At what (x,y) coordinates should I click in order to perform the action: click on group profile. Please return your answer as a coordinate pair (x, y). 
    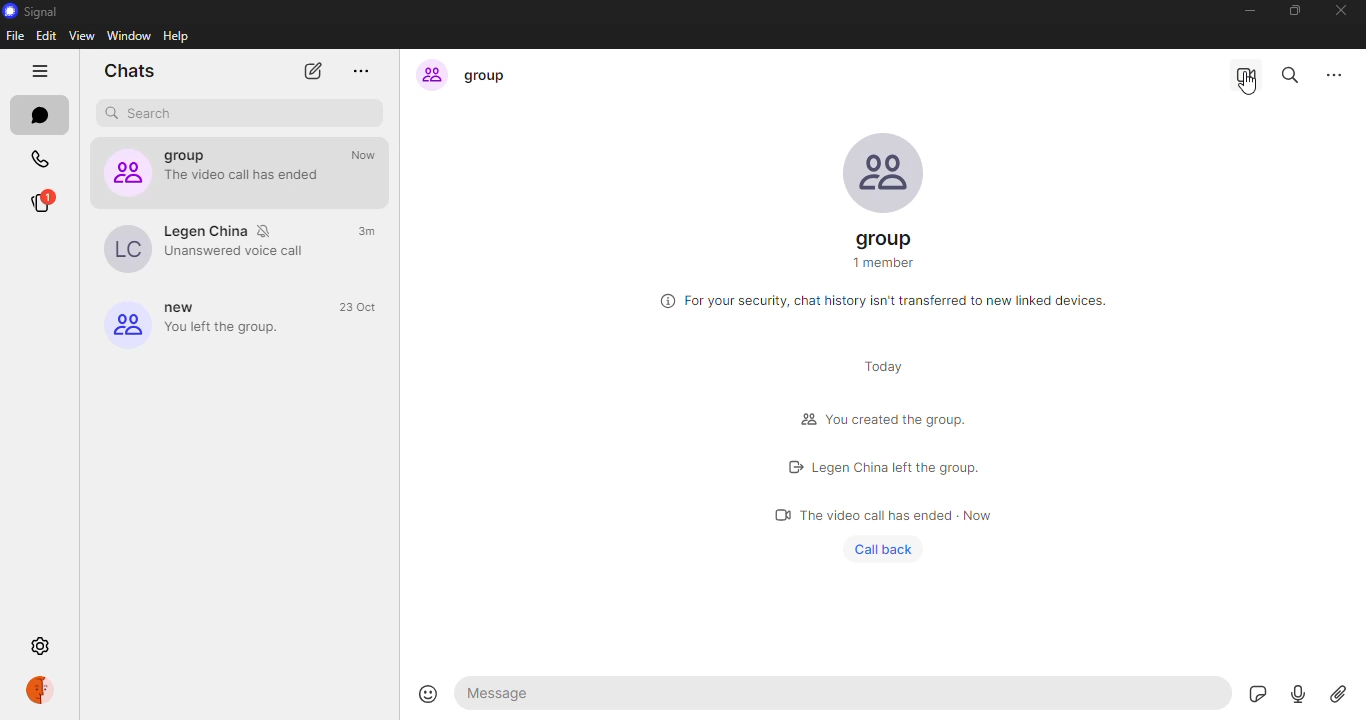
    Looking at the image, I should click on (122, 172).